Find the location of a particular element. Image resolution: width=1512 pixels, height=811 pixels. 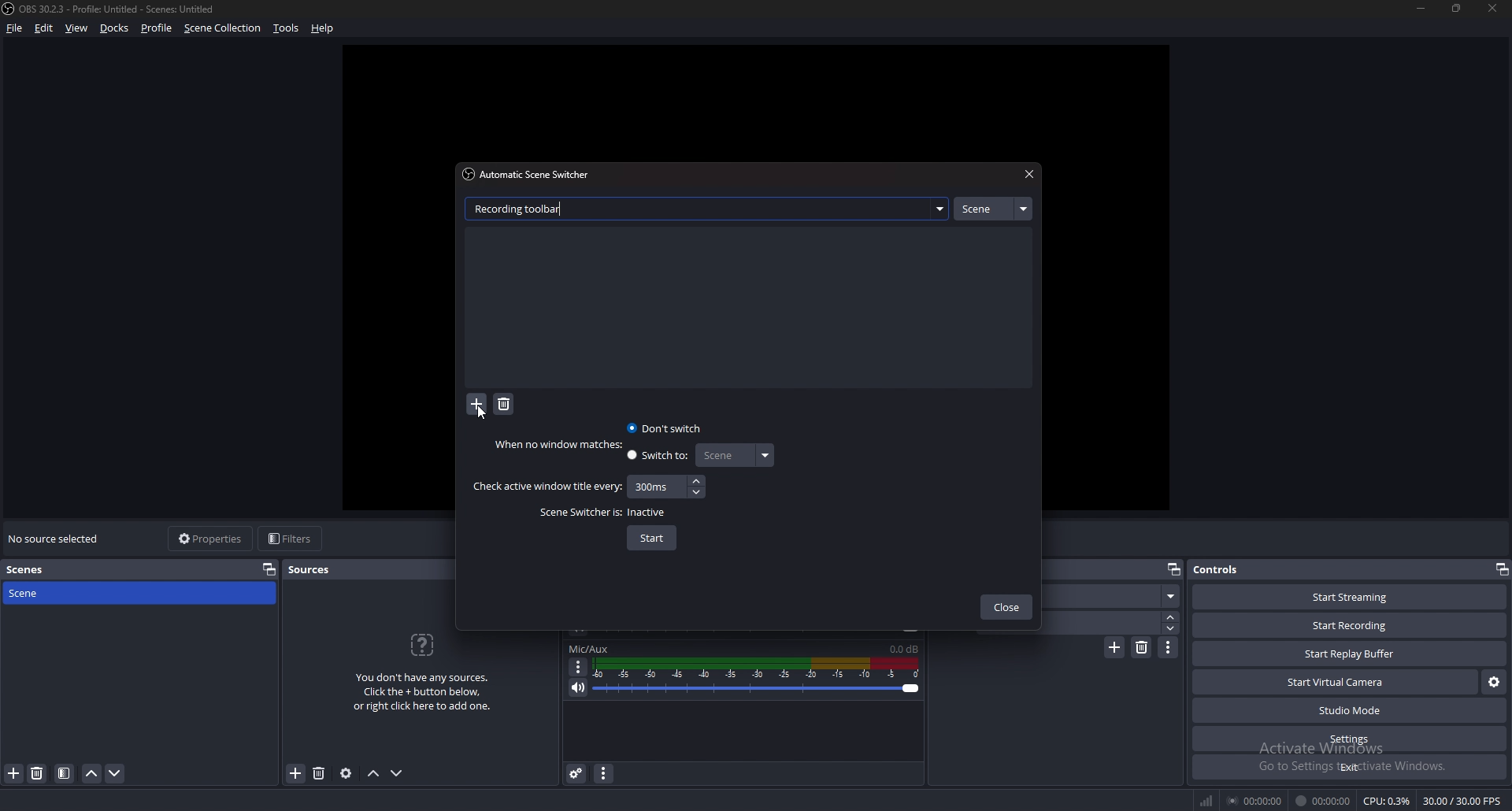

pop out is located at coordinates (1501, 569).